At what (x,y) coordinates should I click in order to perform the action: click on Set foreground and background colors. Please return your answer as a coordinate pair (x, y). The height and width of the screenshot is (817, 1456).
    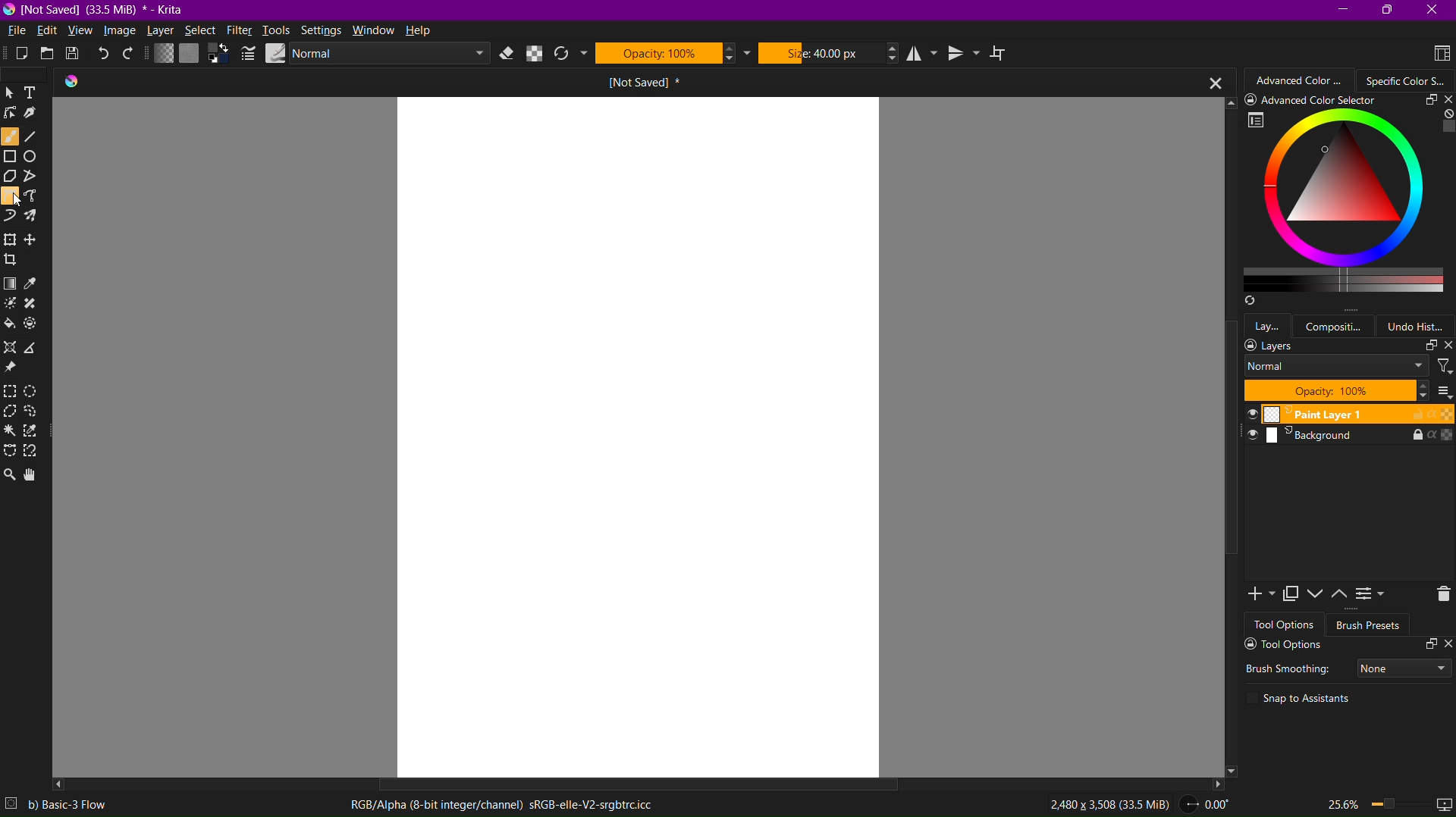
    Looking at the image, I should click on (218, 55).